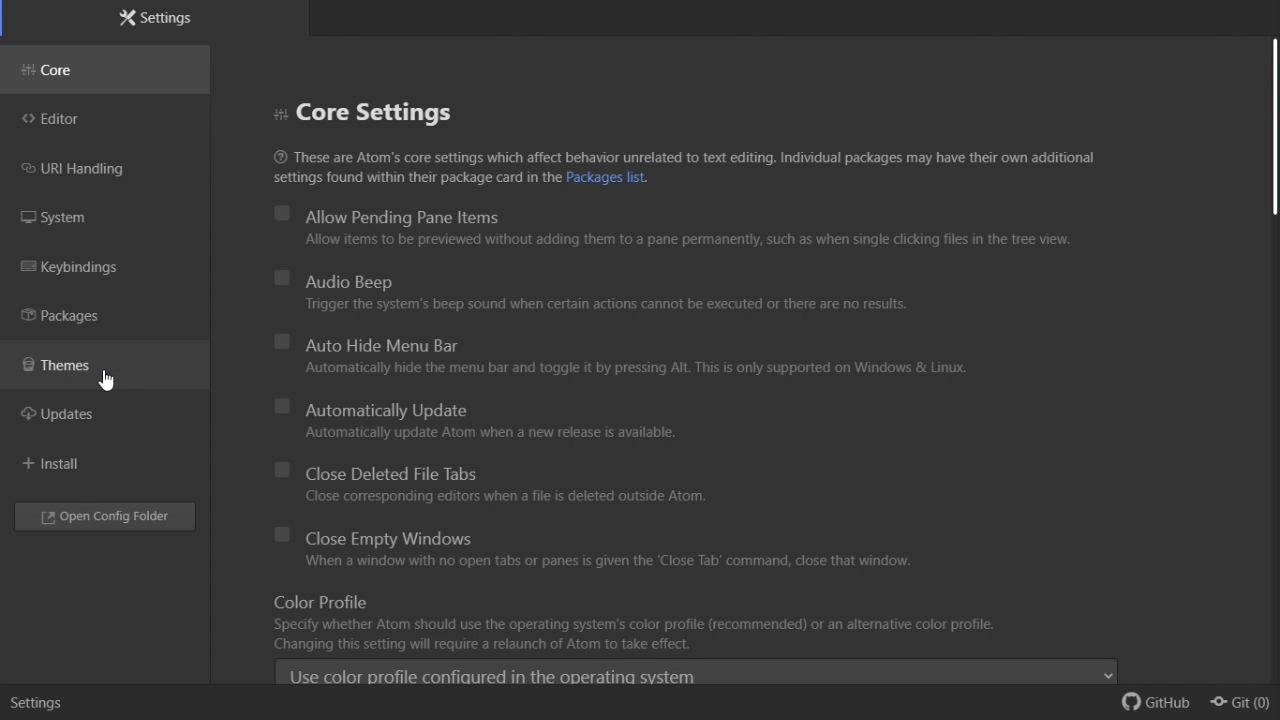  I want to click on Close empty Windows, so click(591, 545).